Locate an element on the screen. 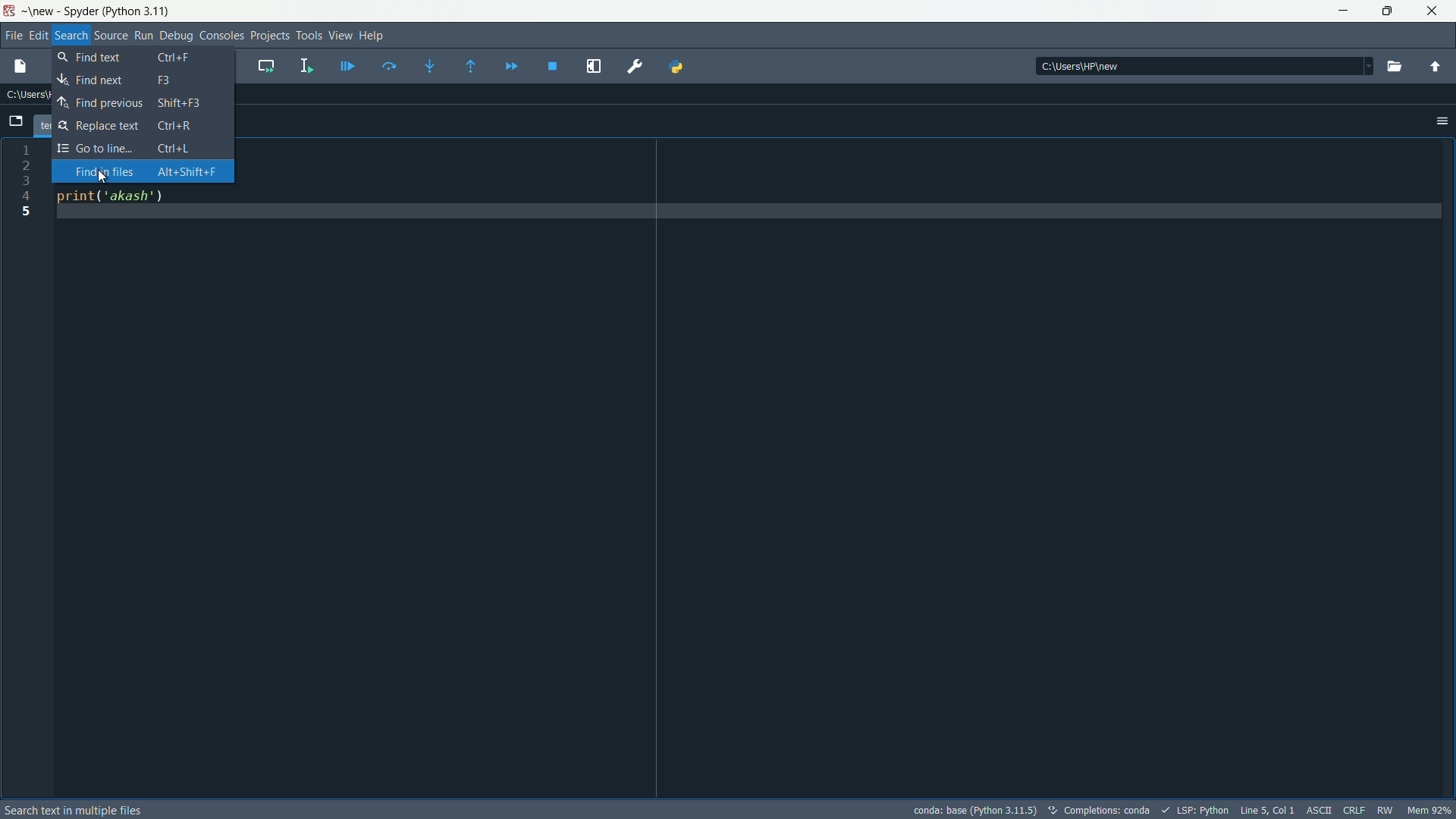 Image resolution: width=1456 pixels, height=819 pixels. parent directory is located at coordinates (1432, 67).